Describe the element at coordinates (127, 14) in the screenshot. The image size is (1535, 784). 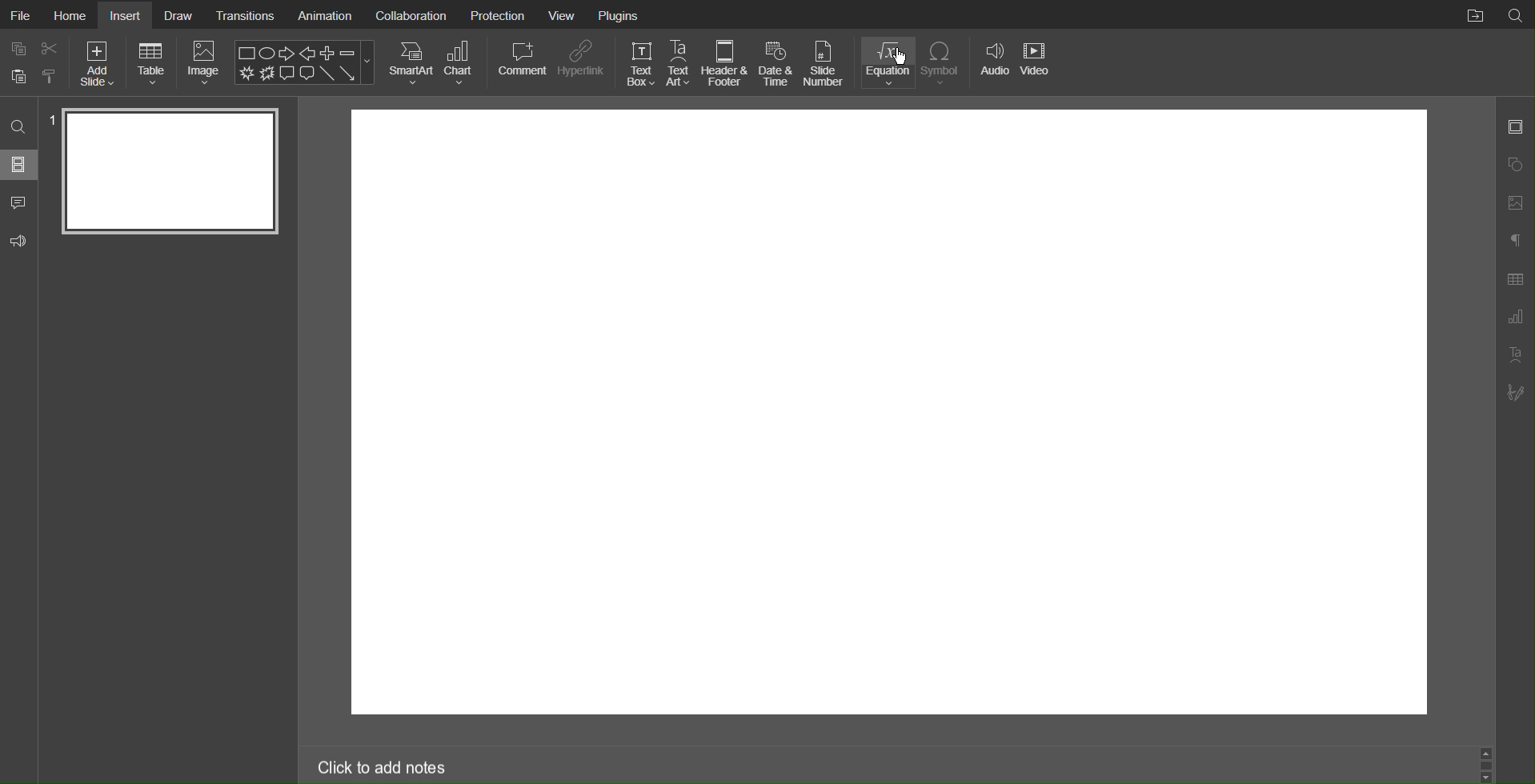
I see `Insert` at that location.